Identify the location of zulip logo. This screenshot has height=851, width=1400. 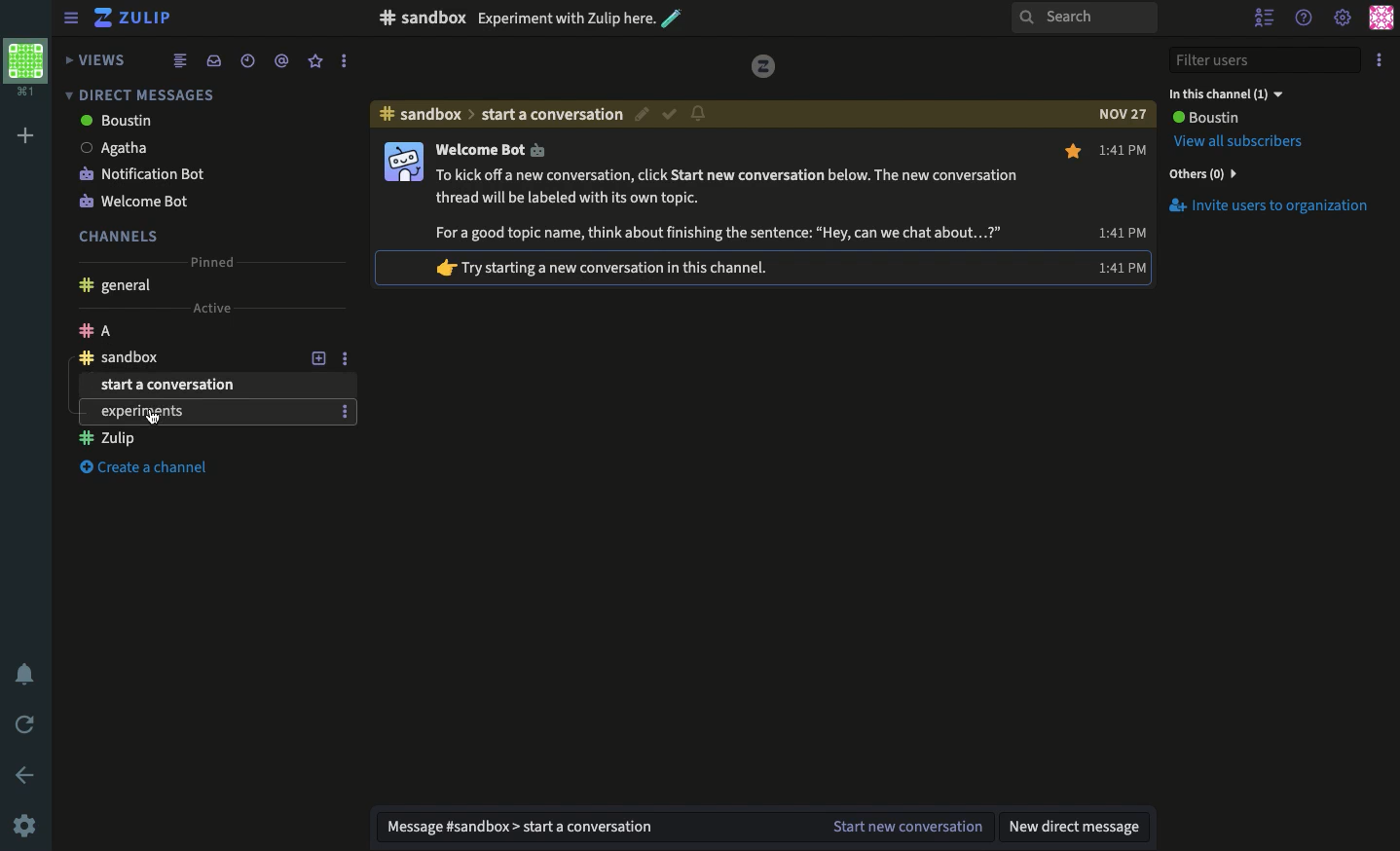
(764, 66).